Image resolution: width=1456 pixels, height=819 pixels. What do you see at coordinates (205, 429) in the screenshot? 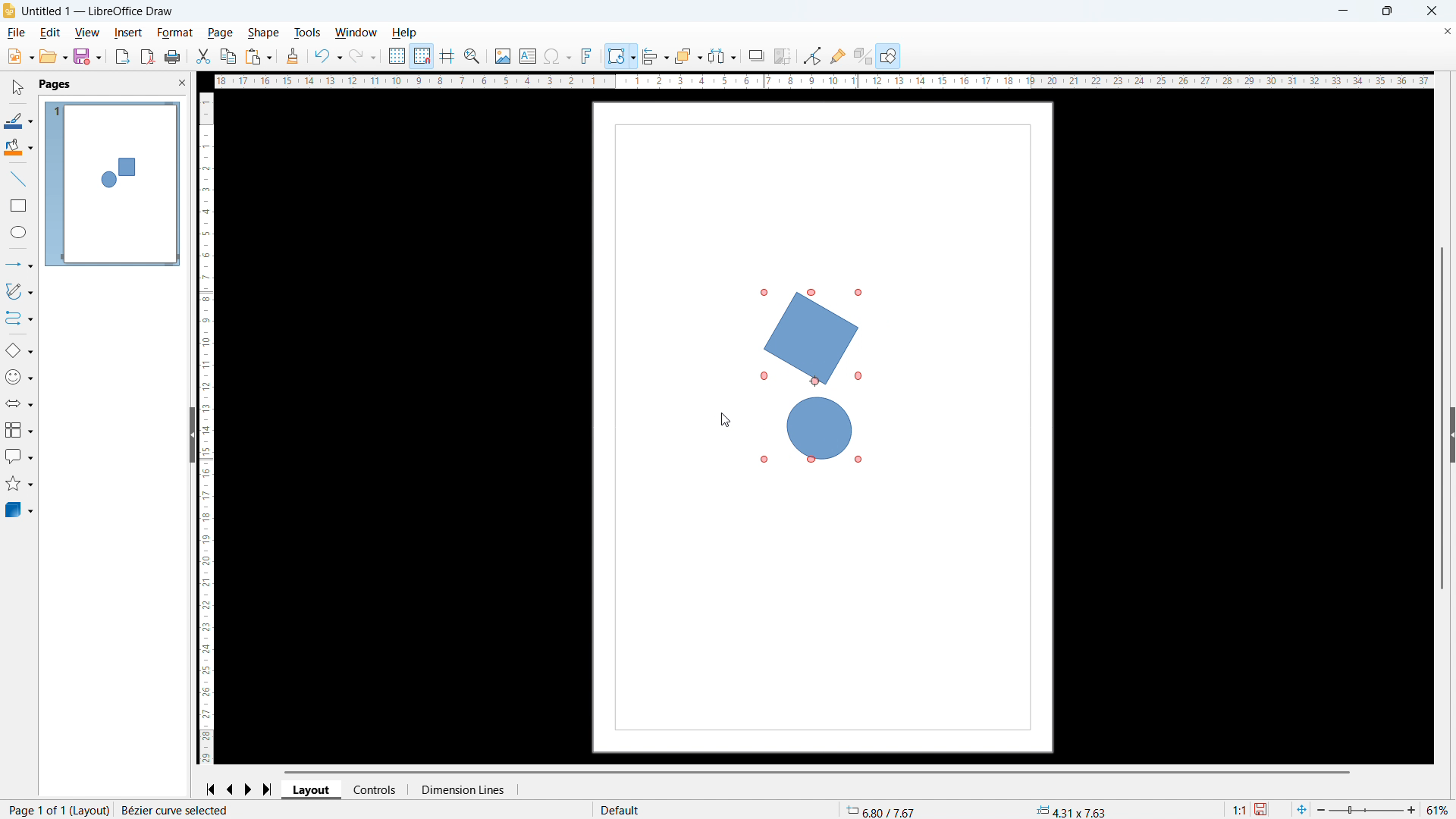
I see `Vertical ruler ` at bounding box center [205, 429].